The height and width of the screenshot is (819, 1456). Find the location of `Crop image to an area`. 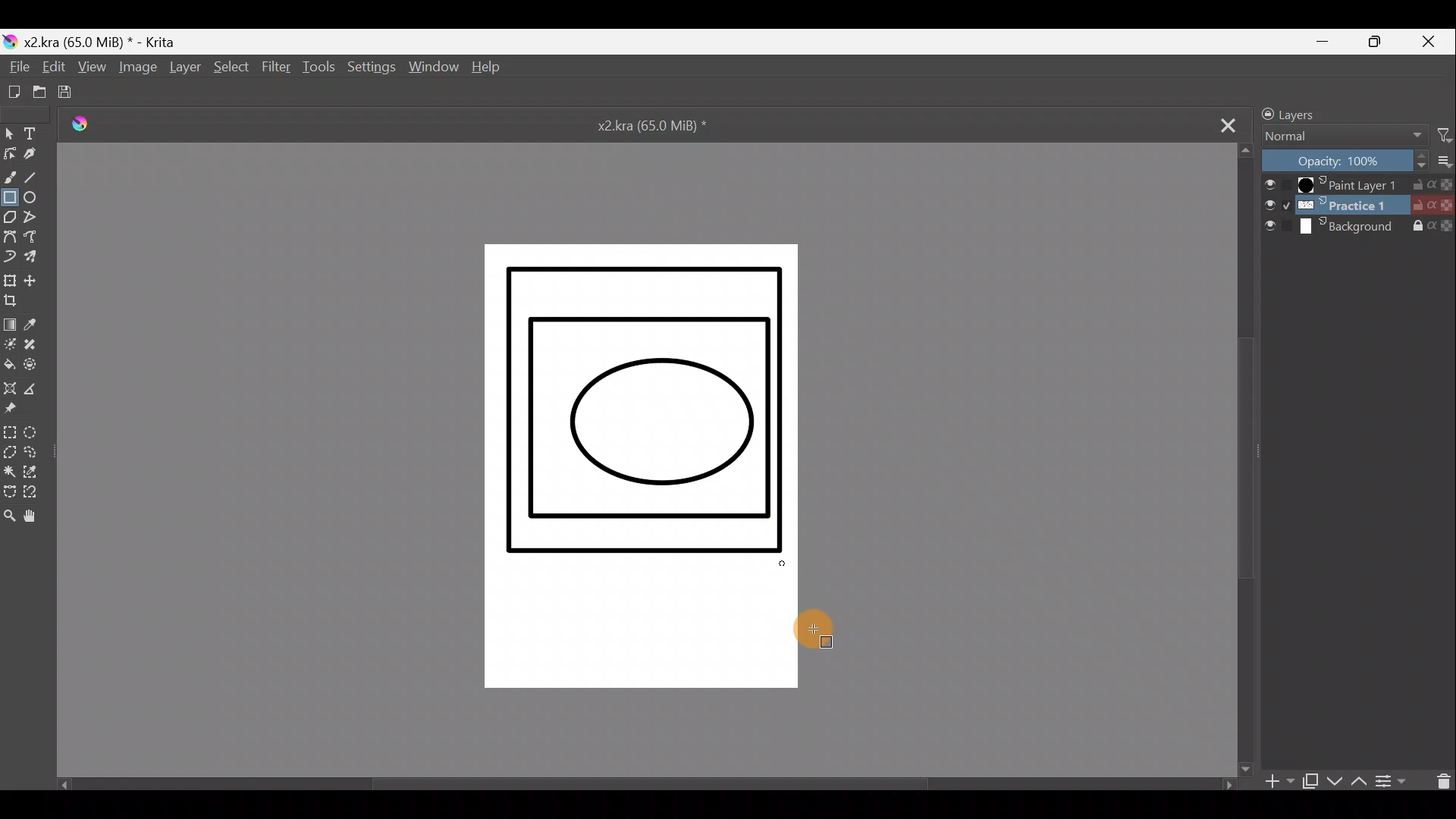

Crop image to an area is located at coordinates (17, 300).